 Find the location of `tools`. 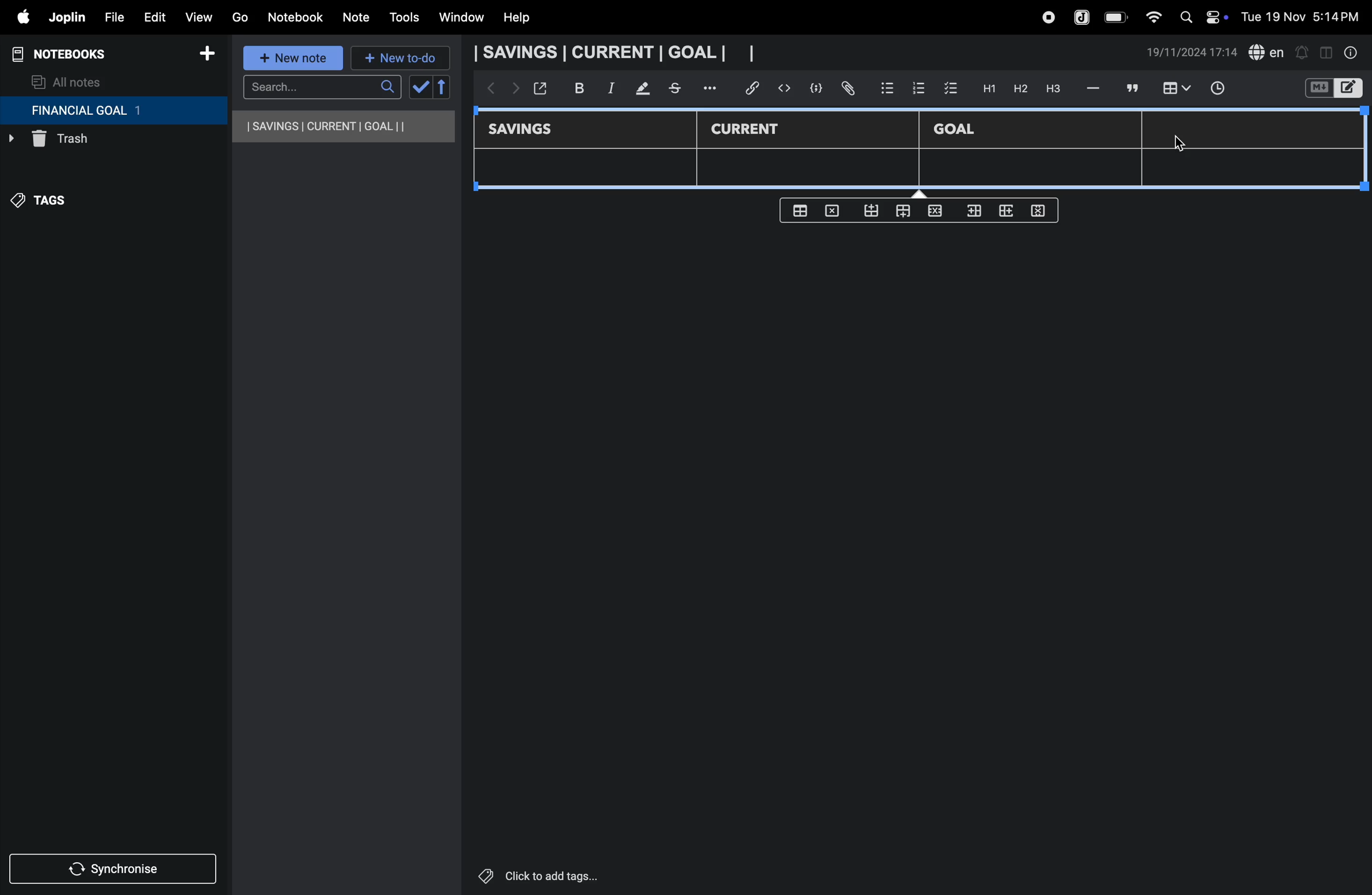

tools is located at coordinates (402, 17).